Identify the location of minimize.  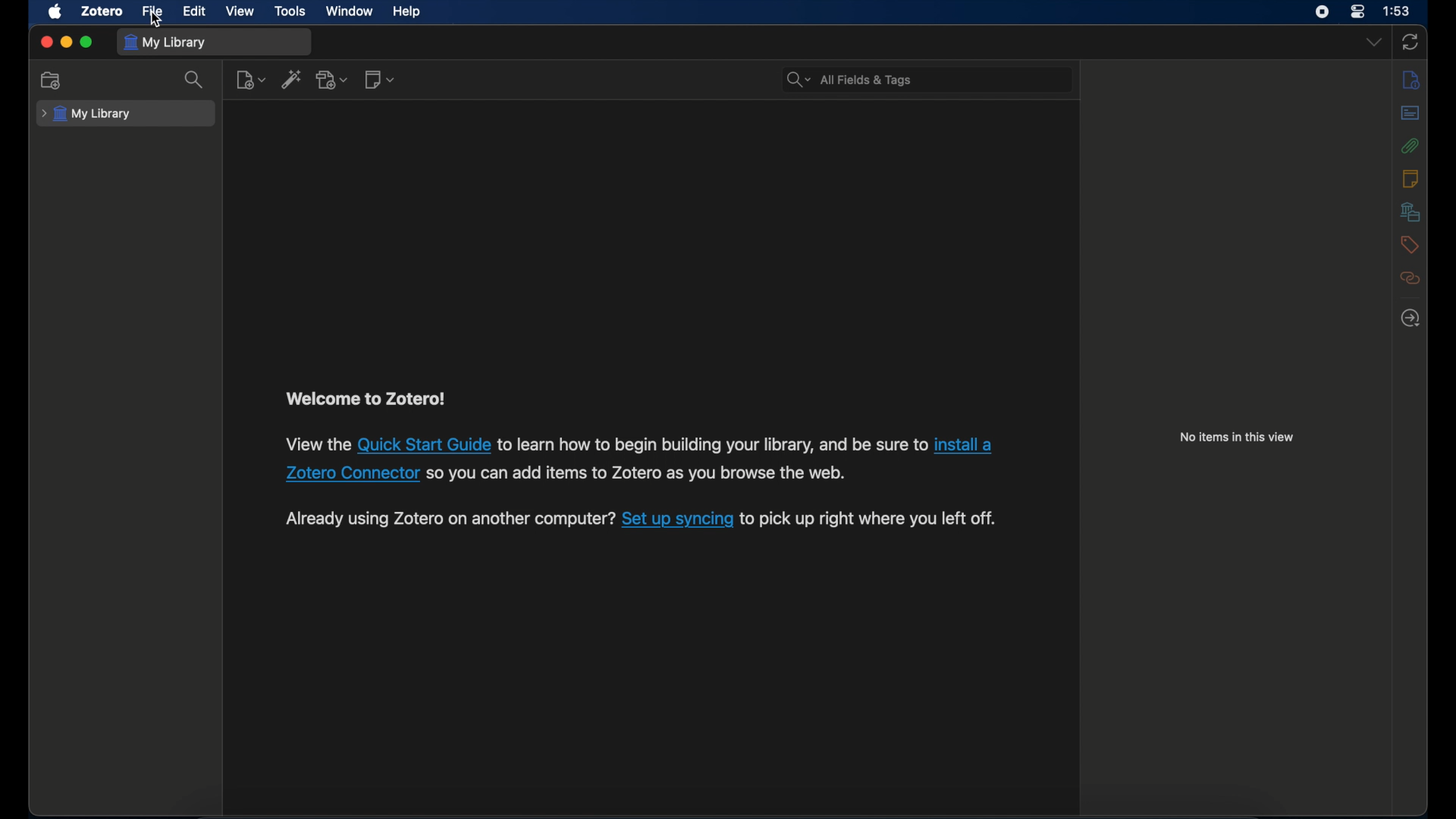
(67, 42).